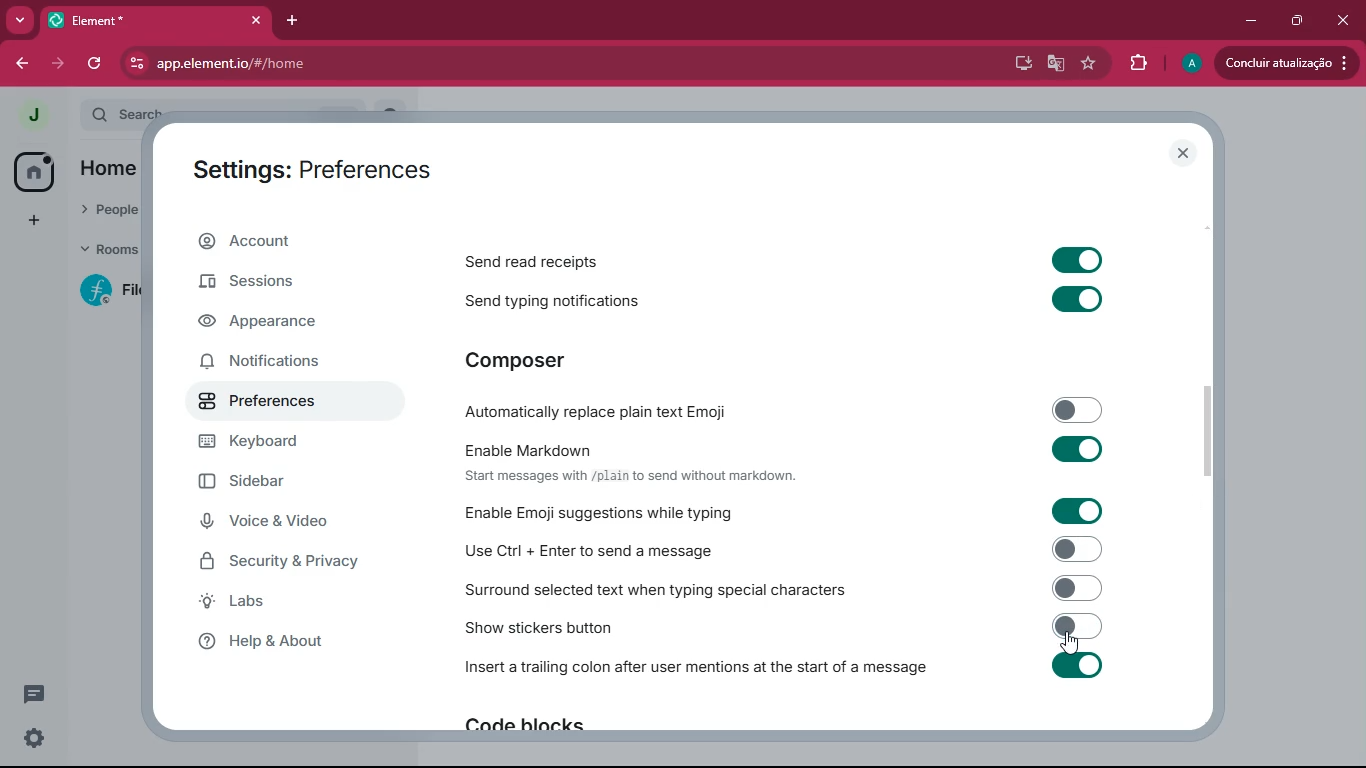 This screenshot has width=1366, height=768. Describe the element at coordinates (1055, 64) in the screenshot. I see `google translate` at that location.